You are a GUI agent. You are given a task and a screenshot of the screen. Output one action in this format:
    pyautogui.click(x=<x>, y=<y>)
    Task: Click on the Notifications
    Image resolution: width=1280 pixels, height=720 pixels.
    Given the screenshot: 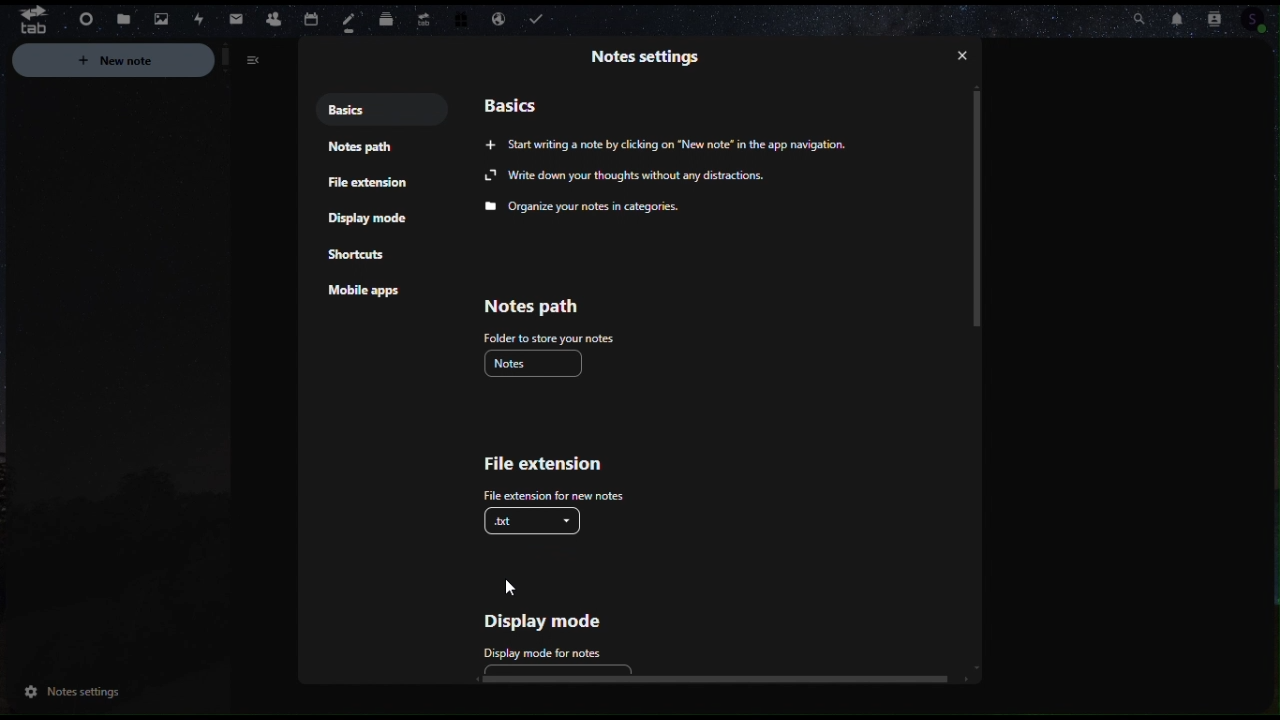 What is the action you would take?
    pyautogui.click(x=1182, y=20)
    